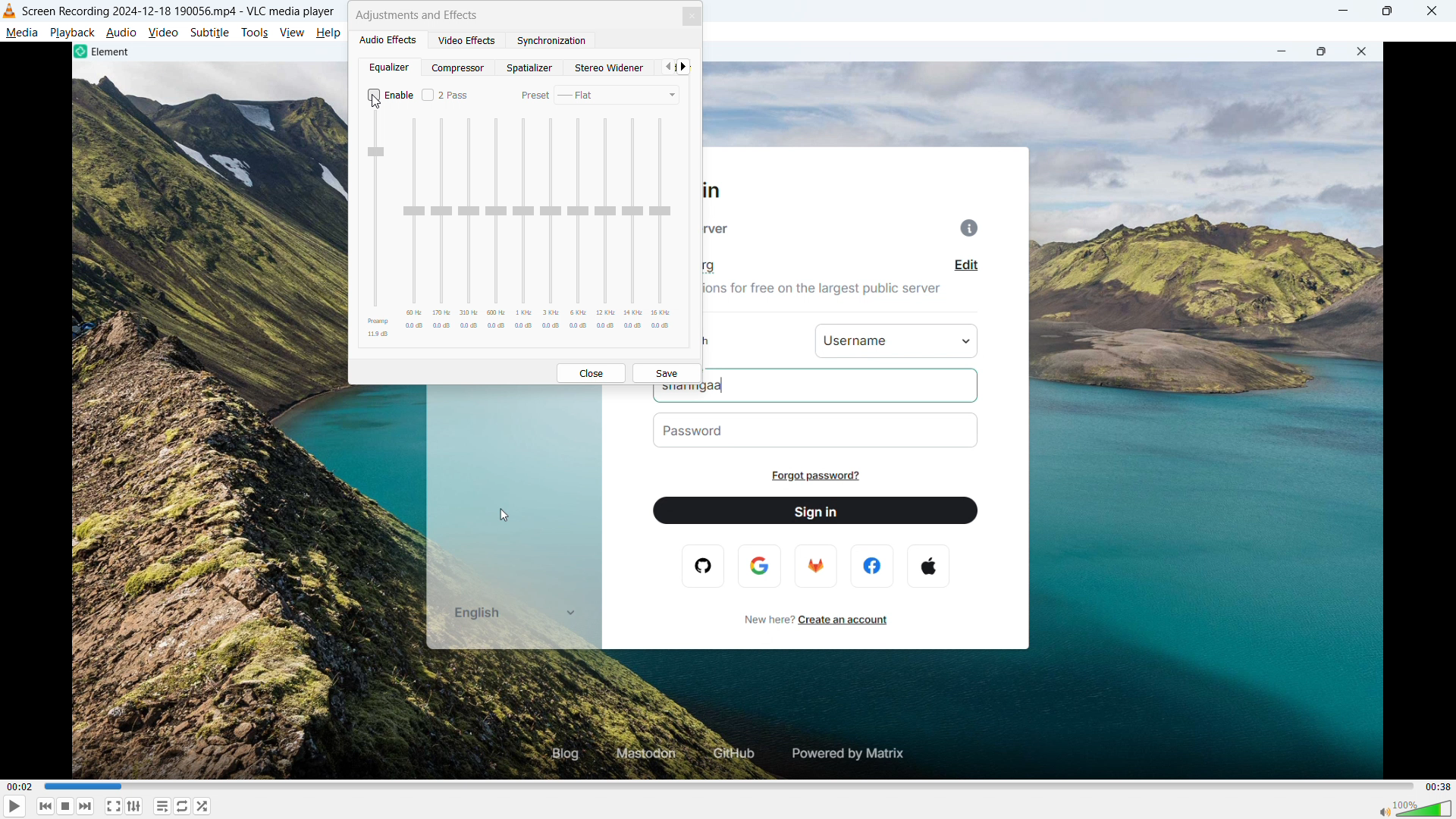 The image size is (1456, 819). Describe the element at coordinates (10, 11) in the screenshot. I see `Logo ` at that location.